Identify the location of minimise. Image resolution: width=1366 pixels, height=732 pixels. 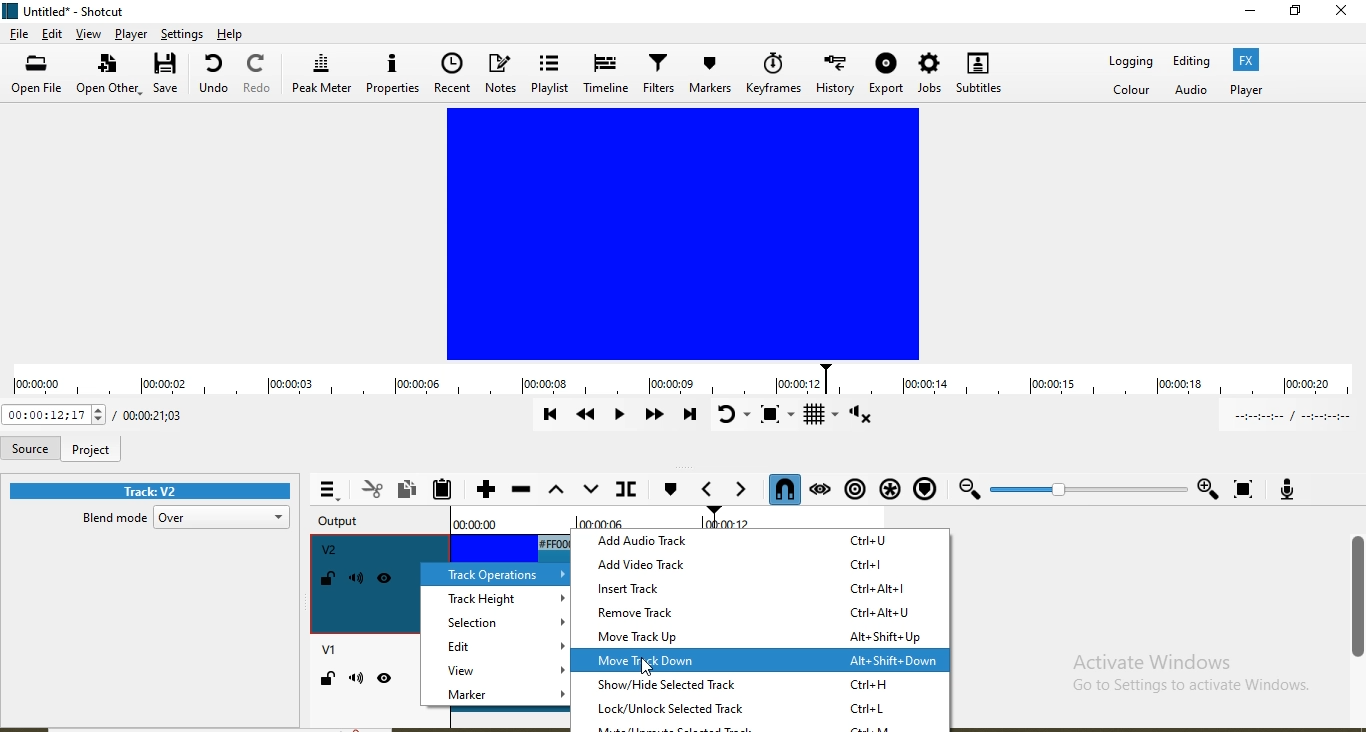
(1237, 15).